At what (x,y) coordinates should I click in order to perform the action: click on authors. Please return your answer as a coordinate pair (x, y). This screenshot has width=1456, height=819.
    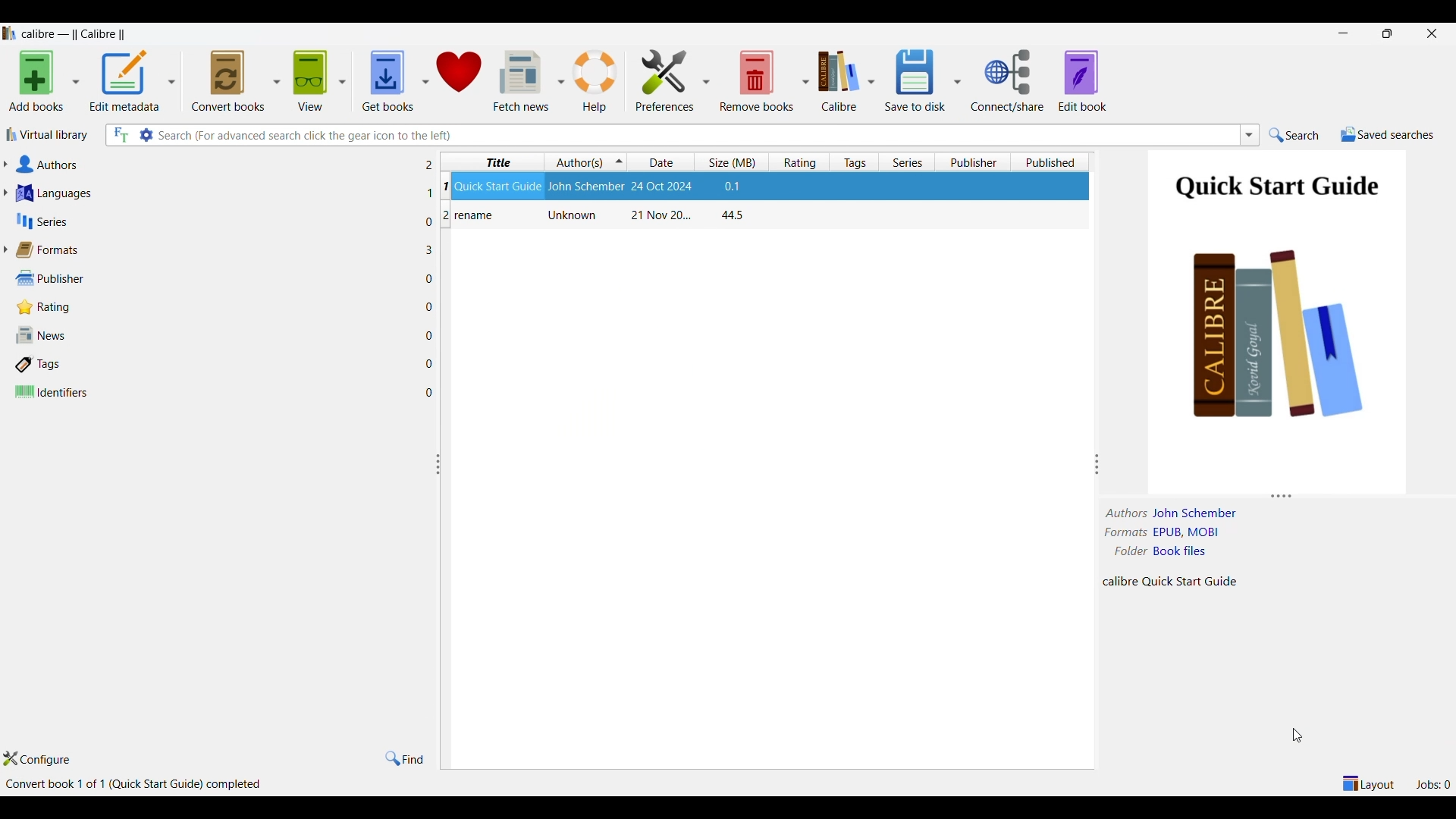
    Looking at the image, I should click on (1128, 513).